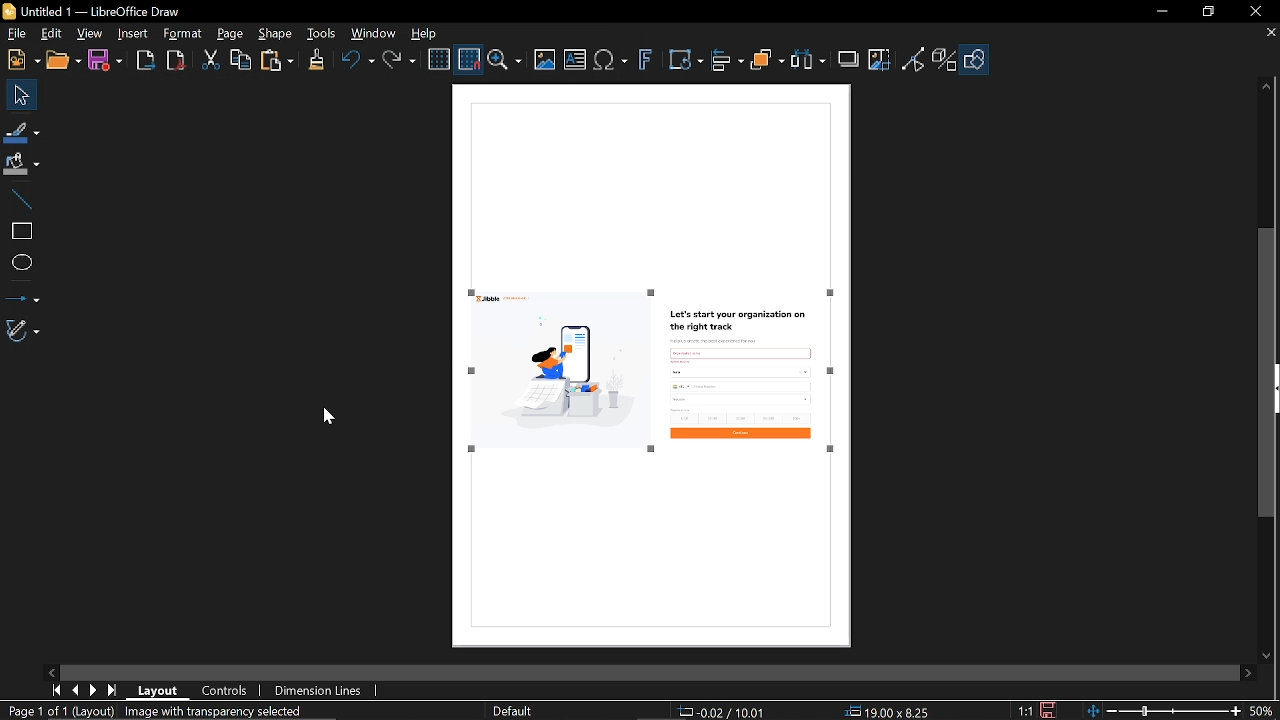  I want to click on Edit, so click(50, 35).